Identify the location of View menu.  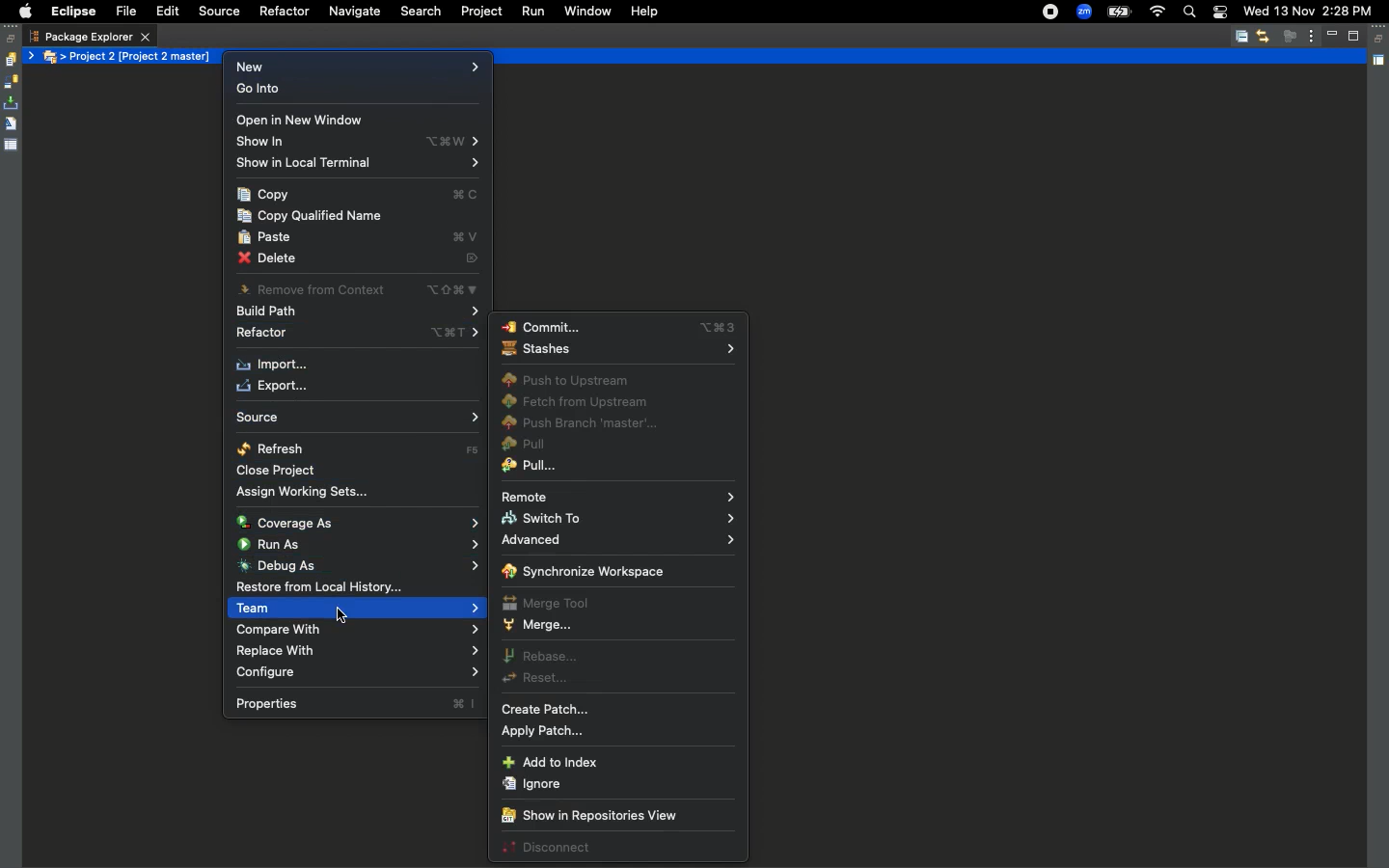
(1312, 35).